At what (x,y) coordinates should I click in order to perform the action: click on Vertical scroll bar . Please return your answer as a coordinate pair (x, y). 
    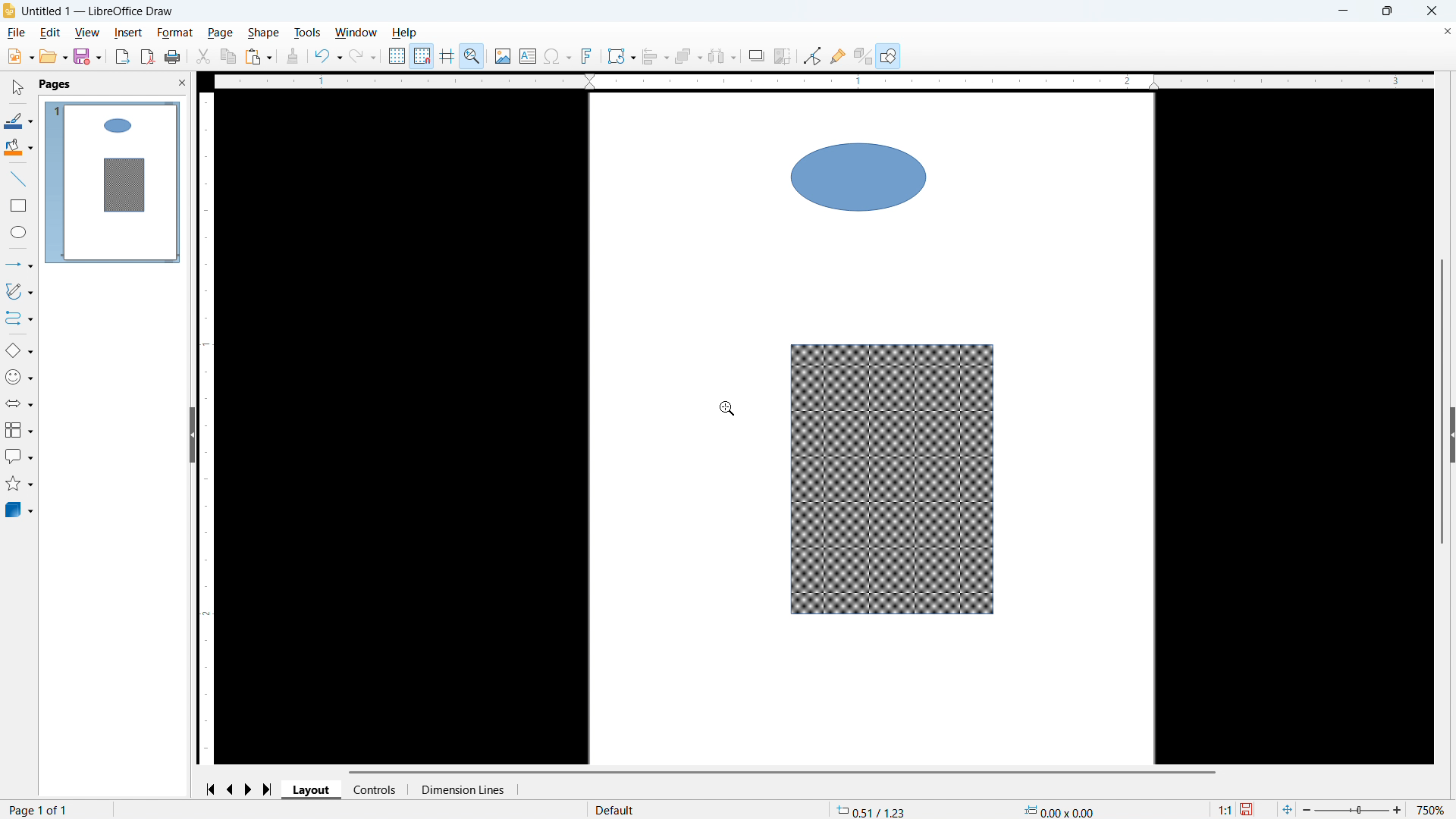
    Looking at the image, I should click on (1441, 408).